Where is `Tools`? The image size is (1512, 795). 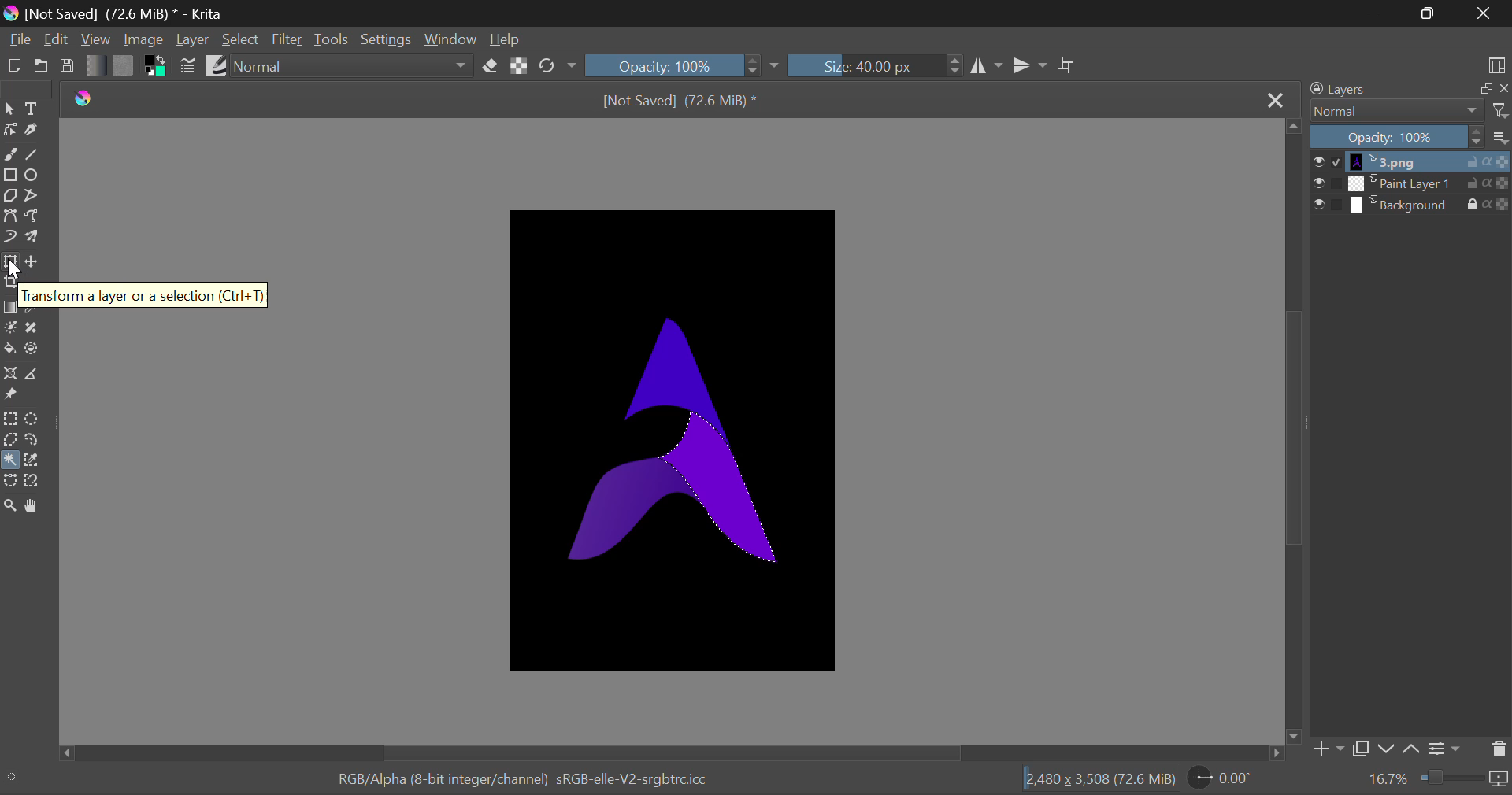 Tools is located at coordinates (334, 39).